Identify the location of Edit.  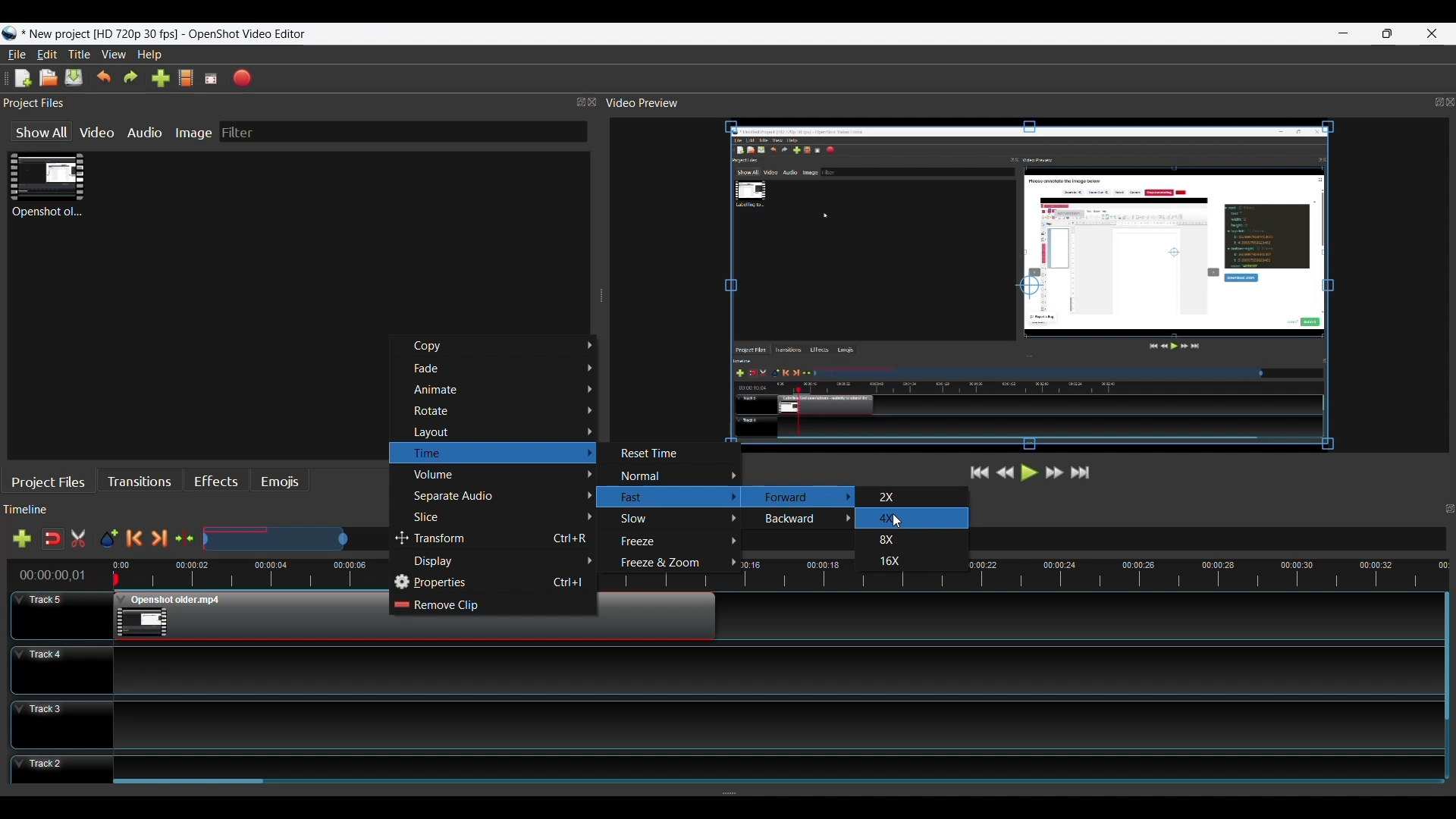
(47, 55).